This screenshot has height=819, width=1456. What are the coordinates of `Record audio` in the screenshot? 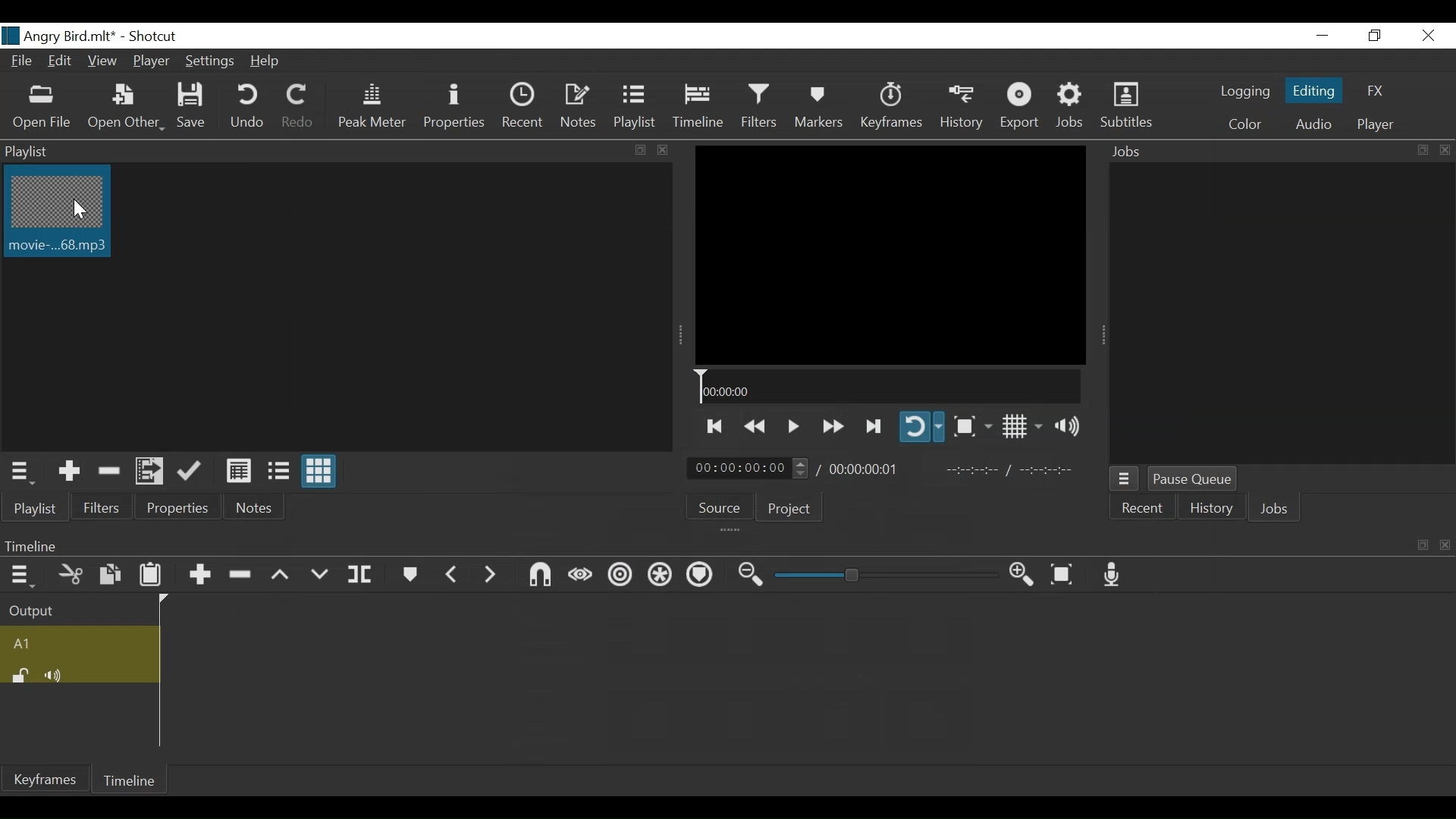 It's located at (1114, 576).